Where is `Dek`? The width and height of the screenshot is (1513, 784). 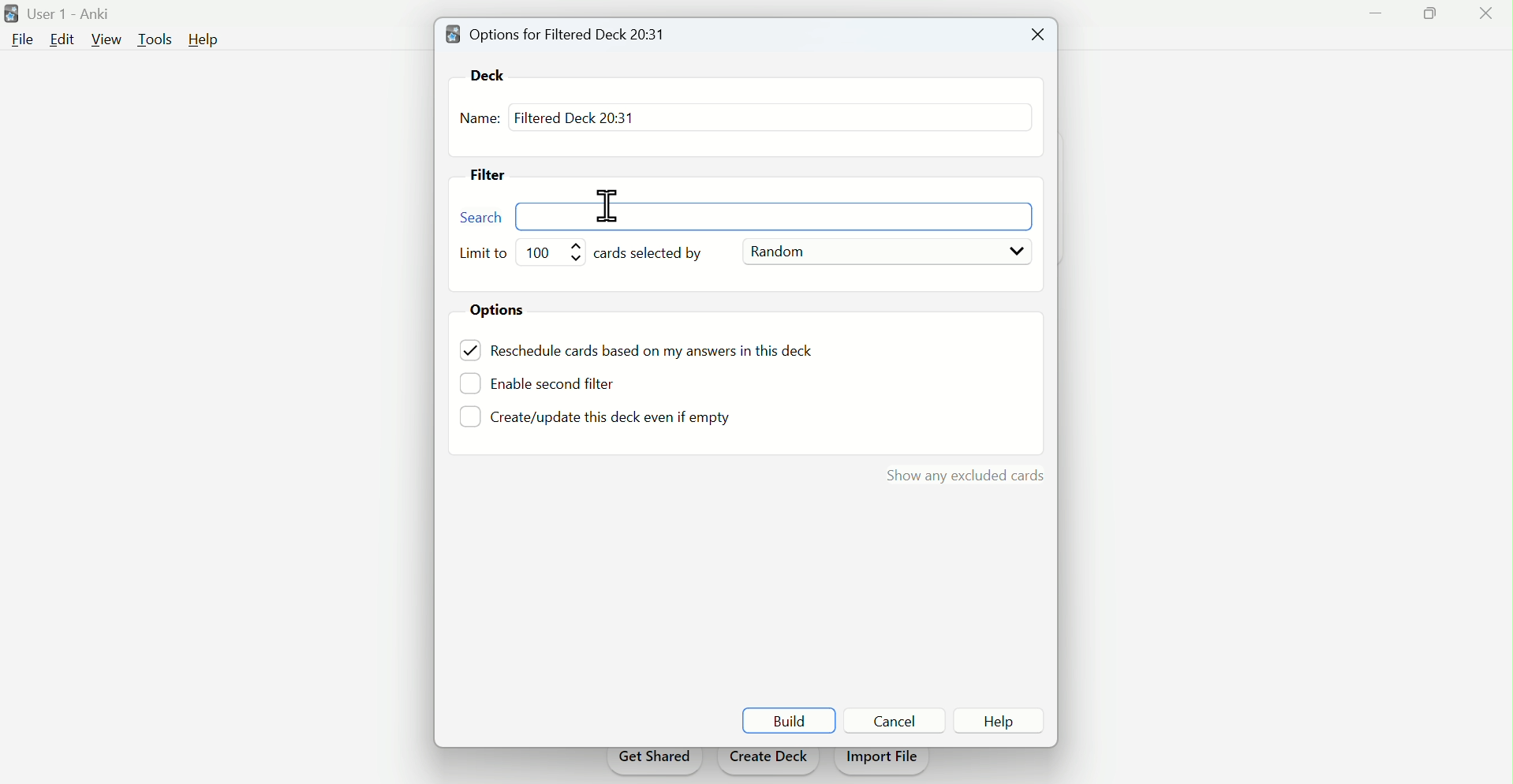
Dek is located at coordinates (494, 74).